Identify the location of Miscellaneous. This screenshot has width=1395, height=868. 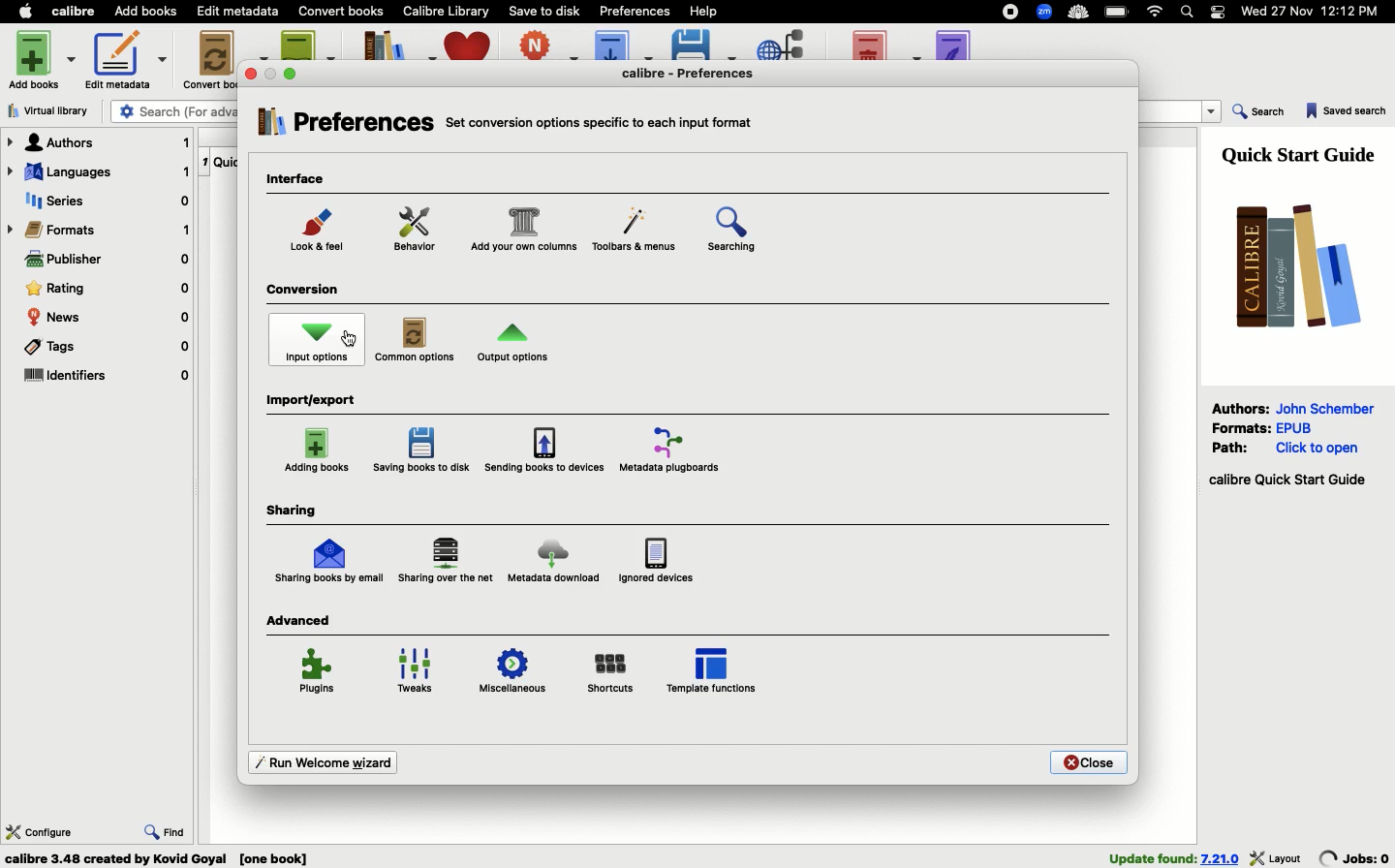
(512, 674).